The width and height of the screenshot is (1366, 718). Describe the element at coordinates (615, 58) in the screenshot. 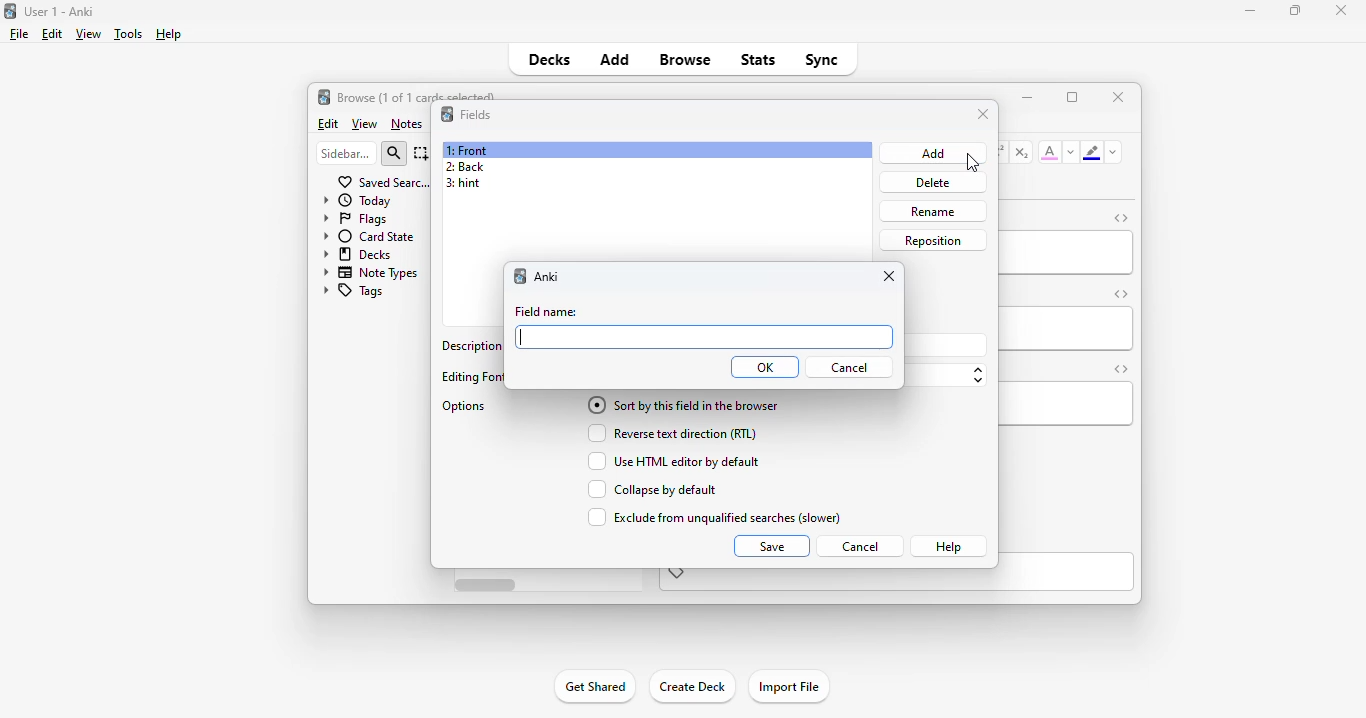

I see `add` at that location.